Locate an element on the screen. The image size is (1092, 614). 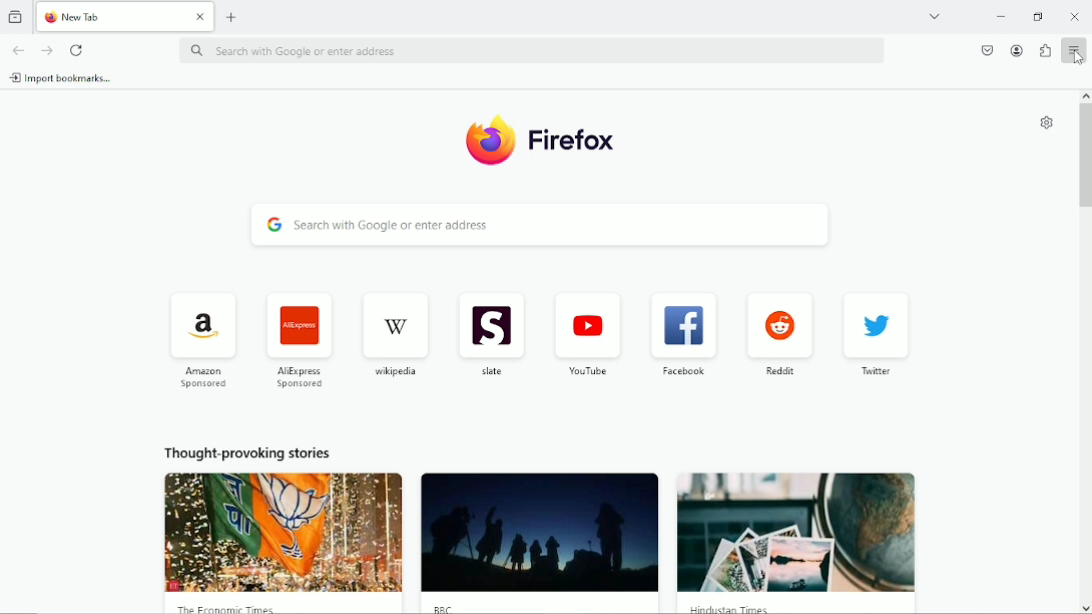
cursor is located at coordinates (1074, 64).